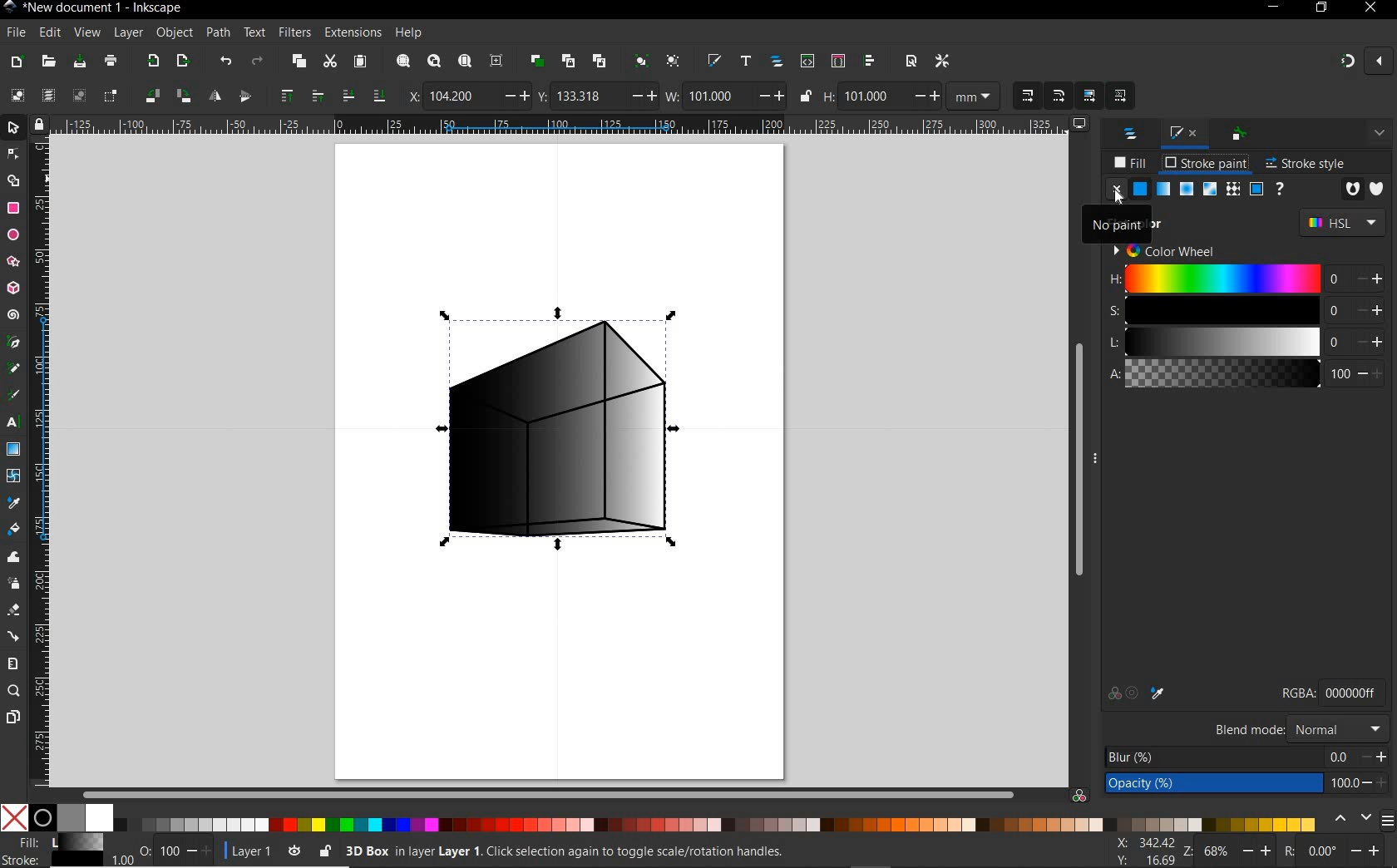  Describe the element at coordinates (1080, 794) in the screenshot. I see `COLOR MANAGED CODE` at that location.